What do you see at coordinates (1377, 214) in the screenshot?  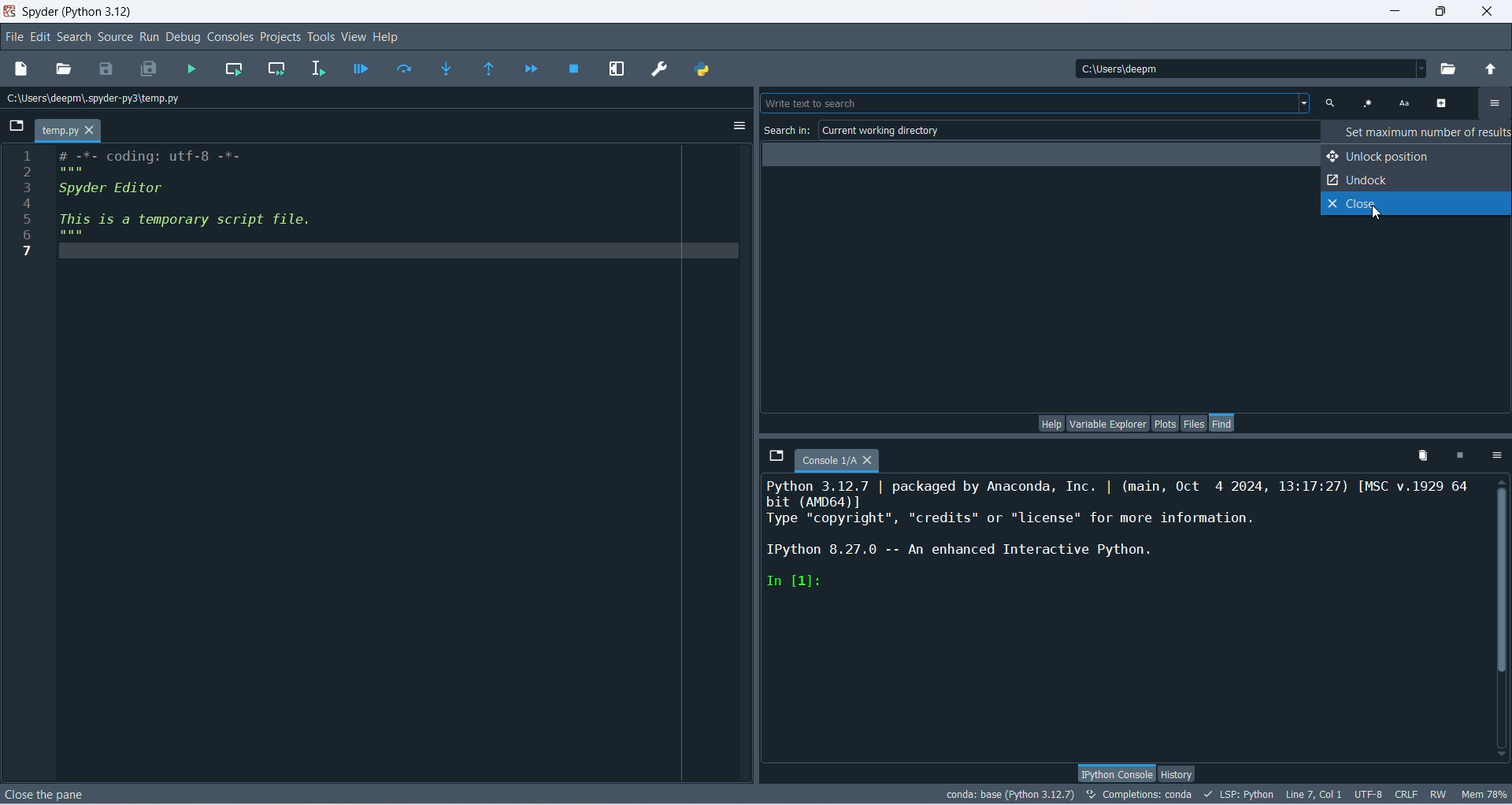 I see `cursor` at bounding box center [1377, 214].